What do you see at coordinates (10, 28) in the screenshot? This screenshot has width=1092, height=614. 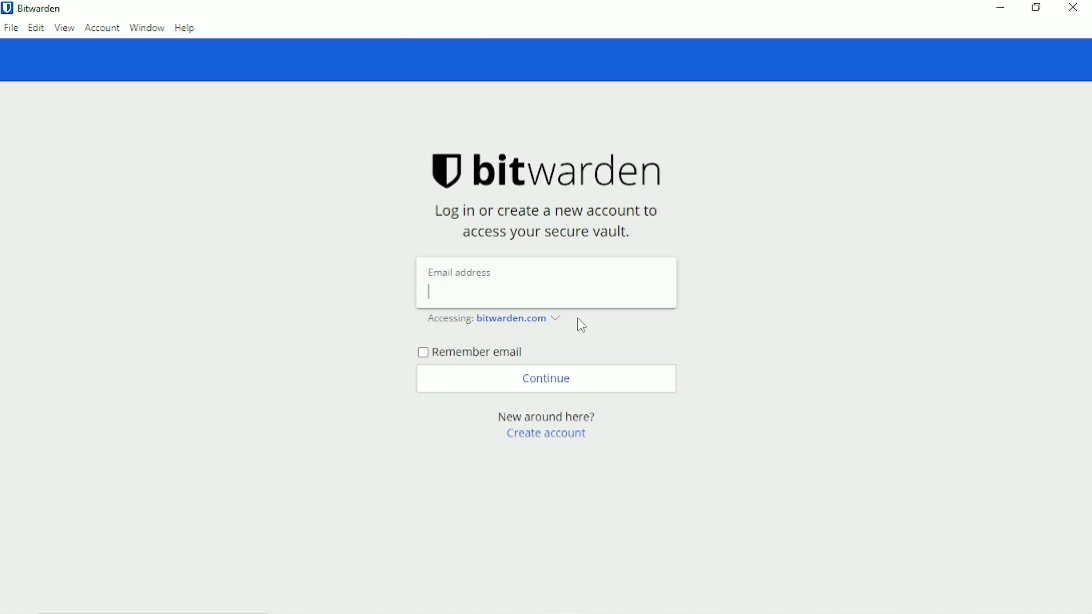 I see `File` at bounding box center [10, 28].